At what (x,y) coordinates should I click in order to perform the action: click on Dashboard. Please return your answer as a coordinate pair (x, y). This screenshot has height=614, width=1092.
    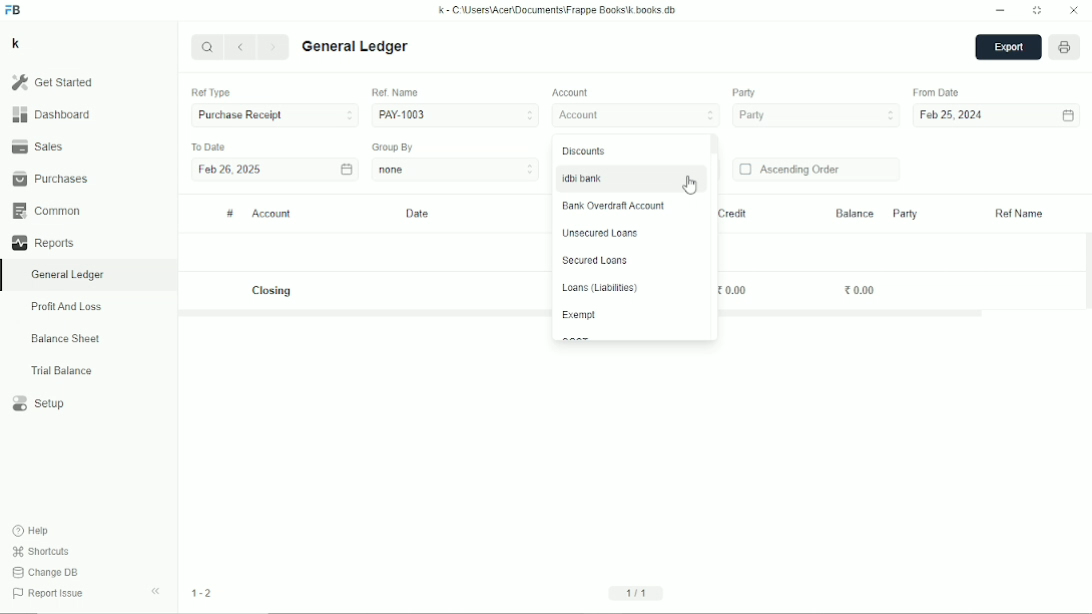
    Looking at the image, I should click on (51, 114).